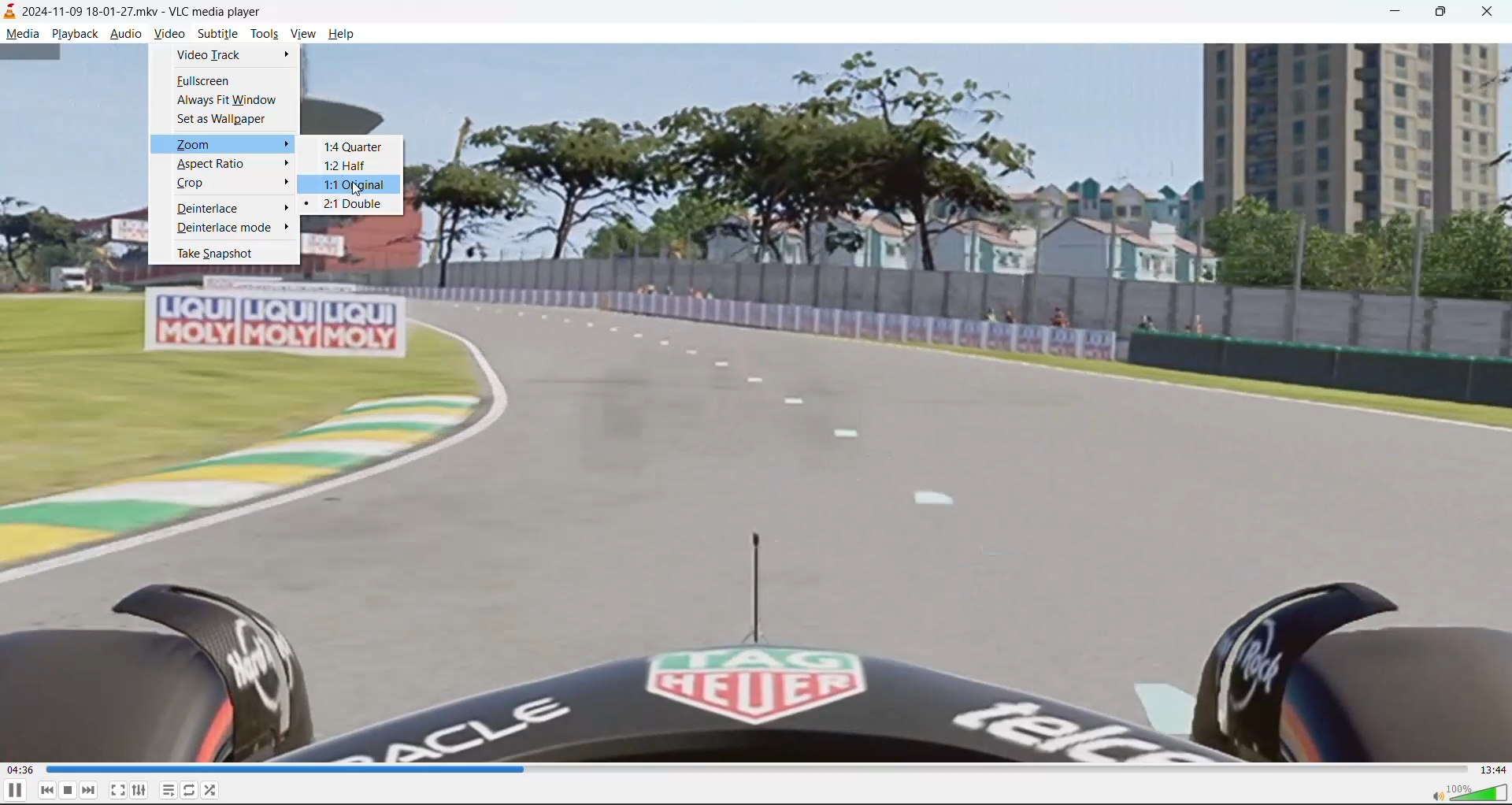 The width and height of the screenshot is (1512, 805). I want to click on 1:1 original, so click(350, 184).